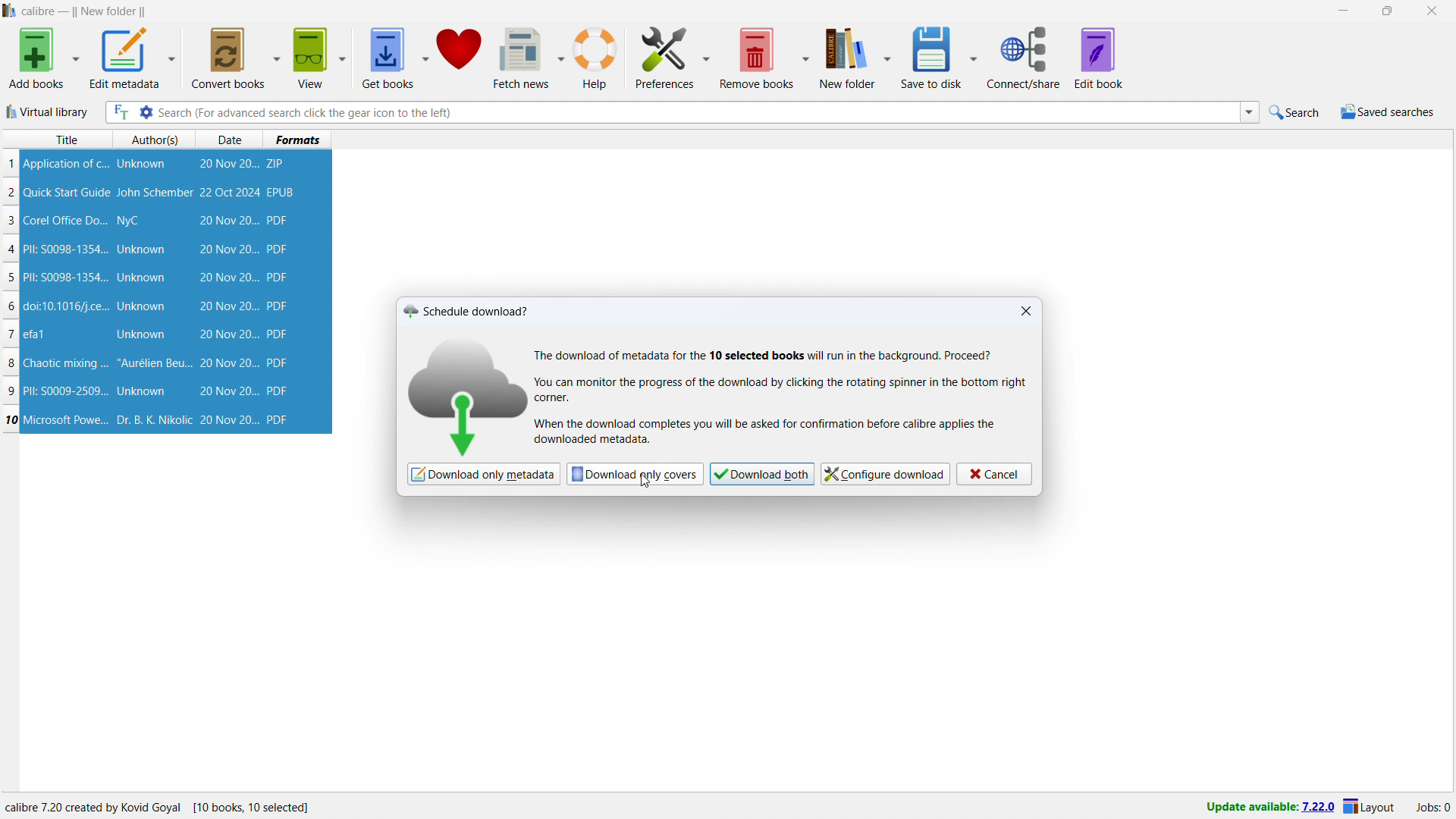 This screenshot has width=1456, height=819. Describe the element at coordinates (785, 391) in the screenshot. I see `You can monitor the progress of the download by clicking the rotating spinner in the bottom right corner.` at that location.